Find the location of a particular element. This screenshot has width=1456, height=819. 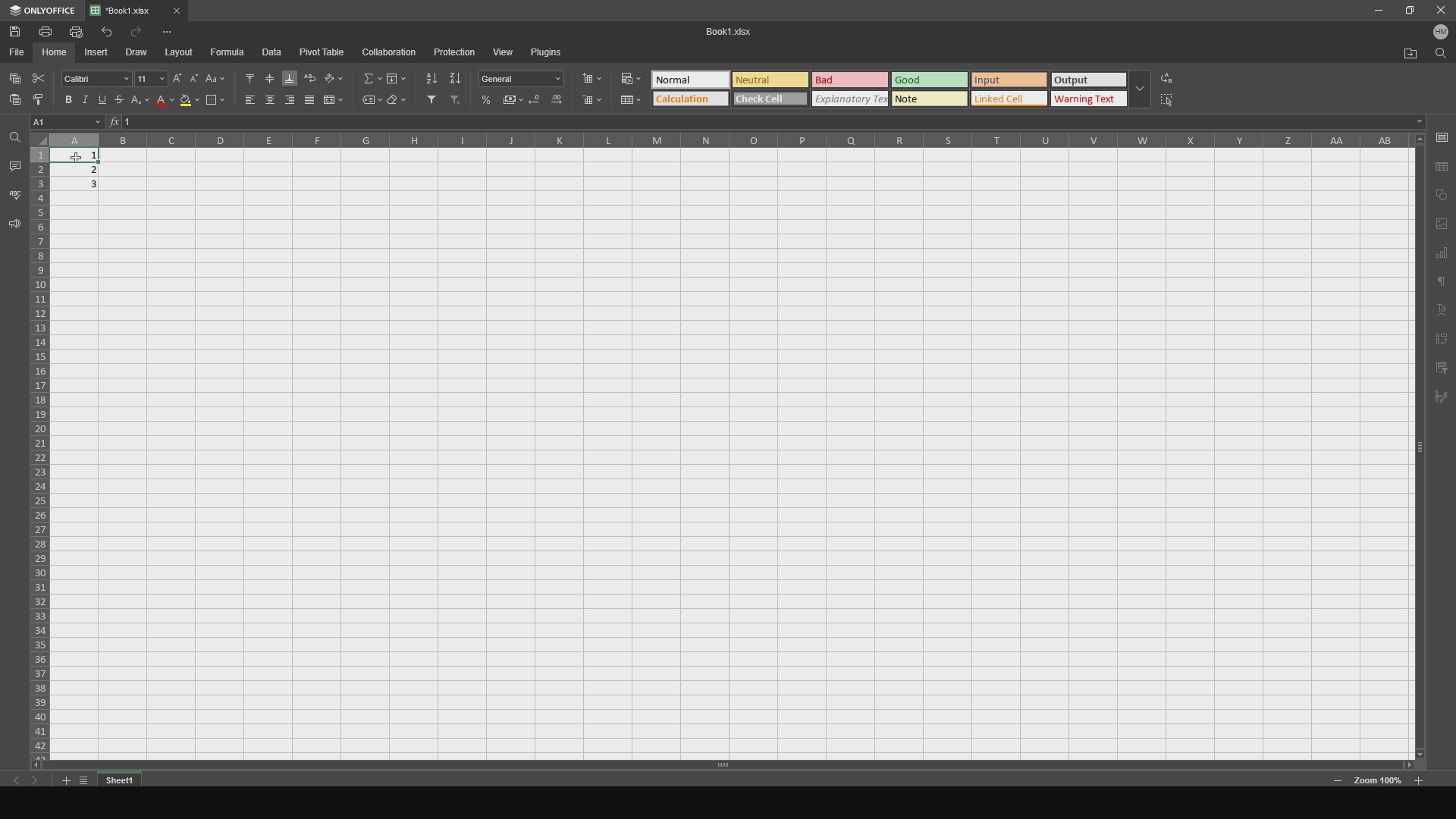

user is located at coordinates (1438, 35).